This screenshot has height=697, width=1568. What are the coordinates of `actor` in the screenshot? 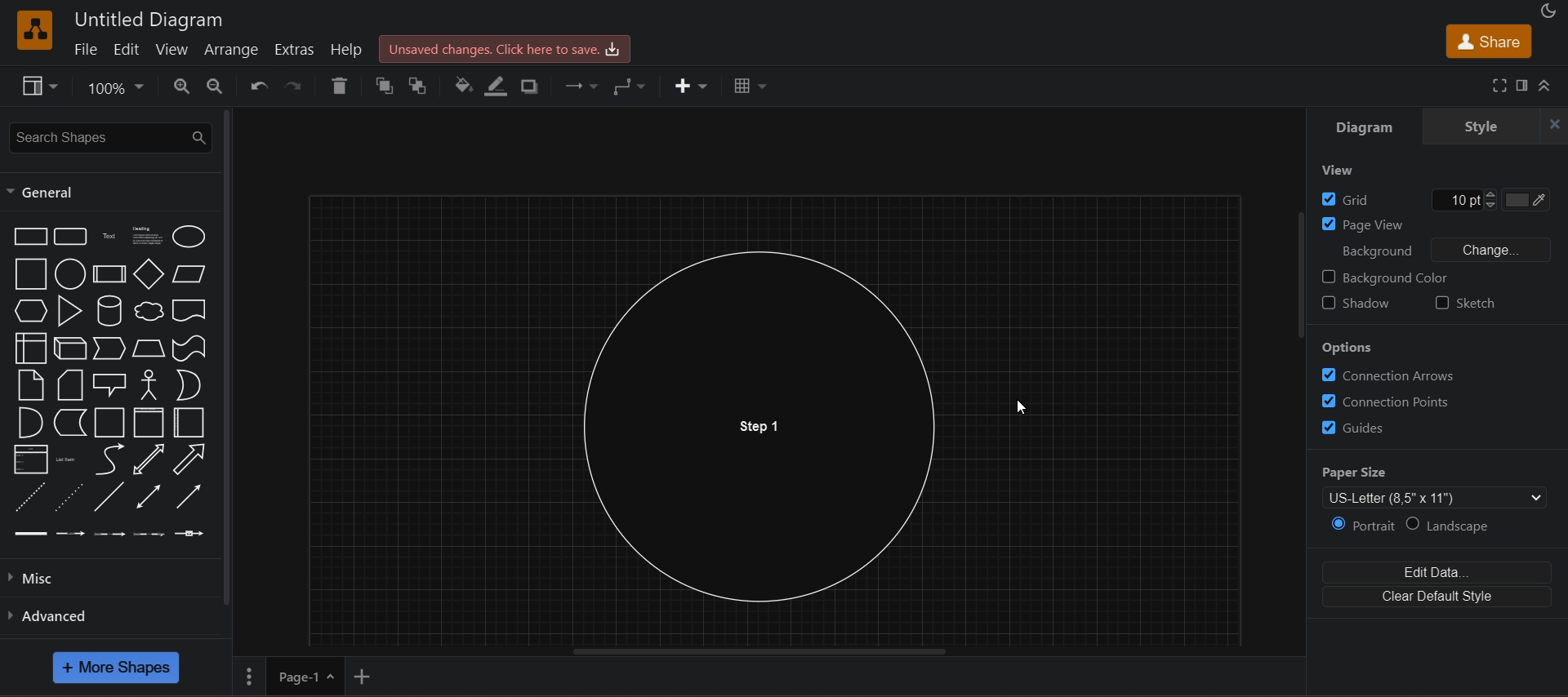 It's located at (151, 387).